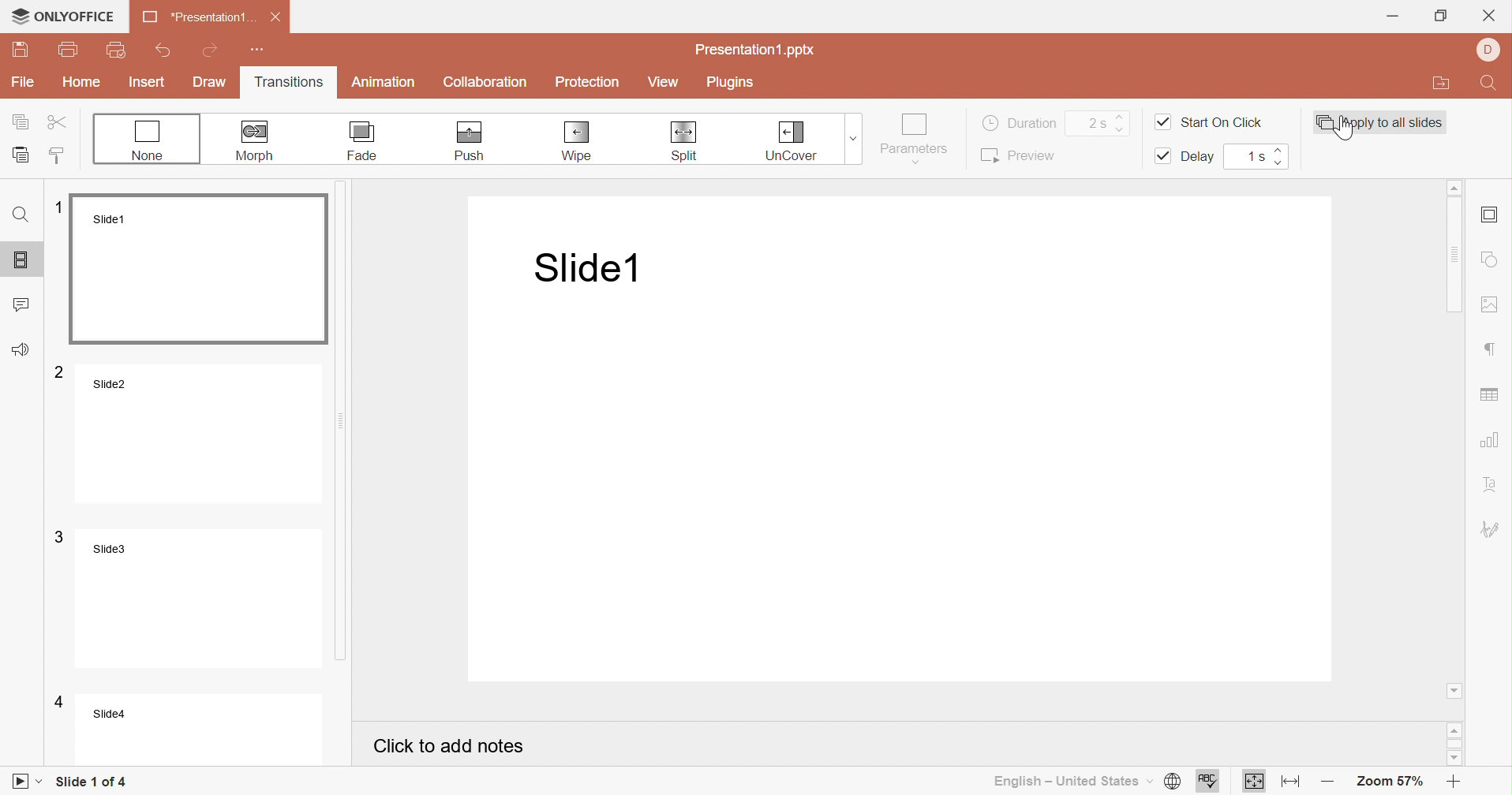  Describe the element at coordinates (196, 18) in the screenshot. I see `*Presentation1 ...` at that location.